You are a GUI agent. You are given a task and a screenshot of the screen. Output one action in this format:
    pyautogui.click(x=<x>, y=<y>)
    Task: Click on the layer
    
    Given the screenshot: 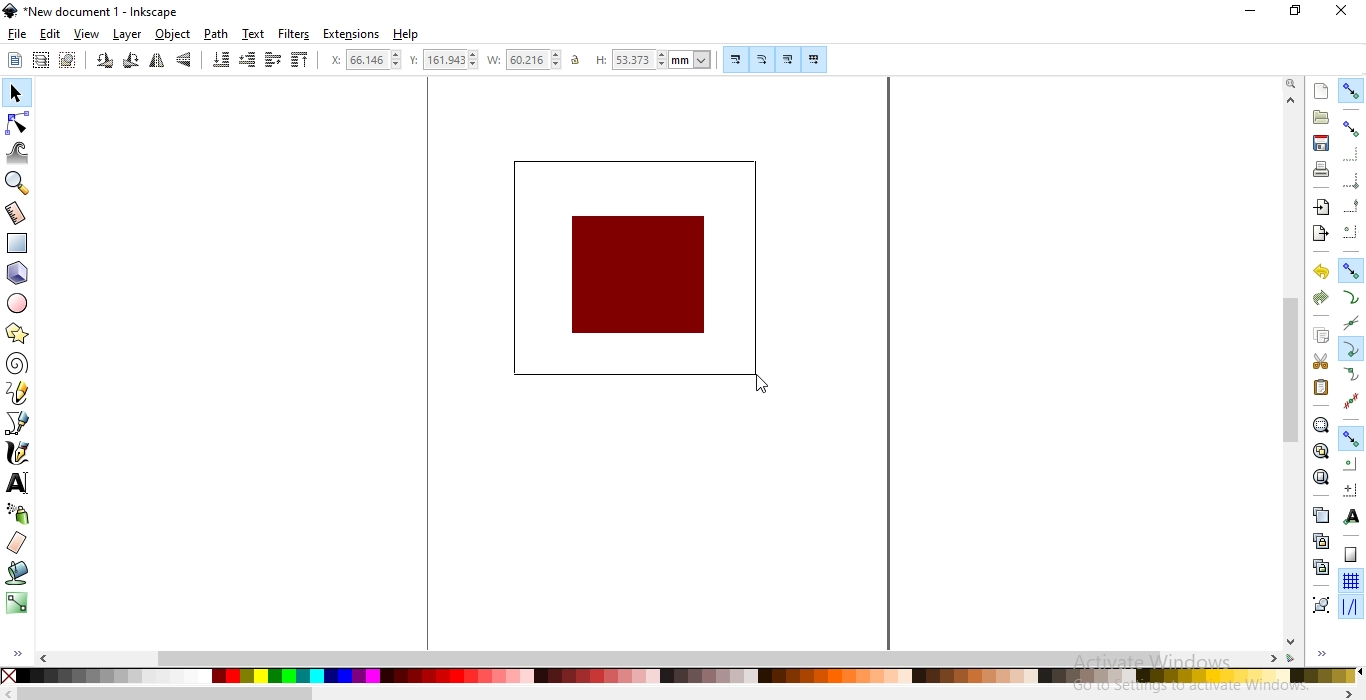 What is the action you would take?
    pyautogui.click(x=129, y=35)
    